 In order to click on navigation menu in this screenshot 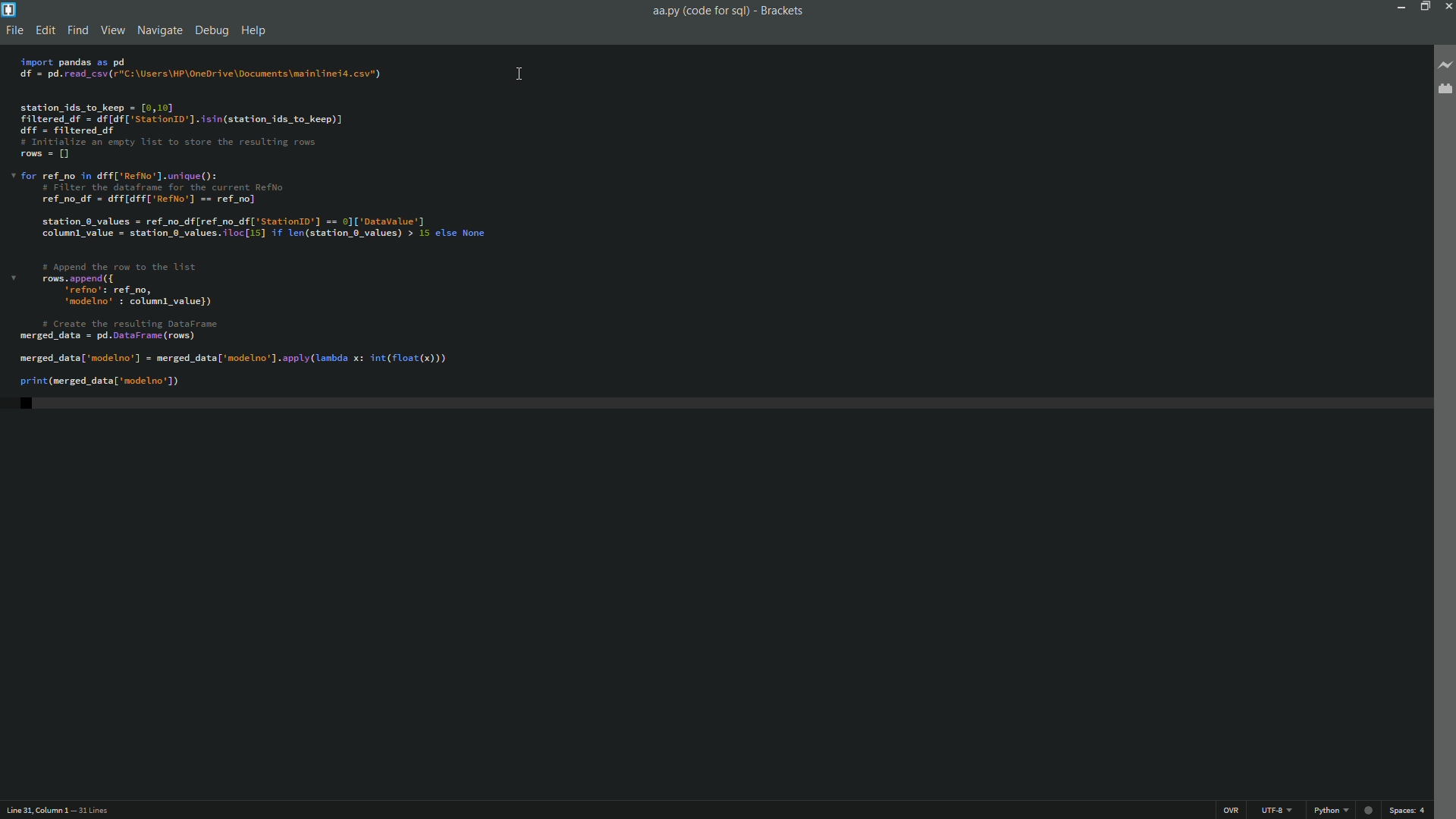, I will do `click(160, 30)`.